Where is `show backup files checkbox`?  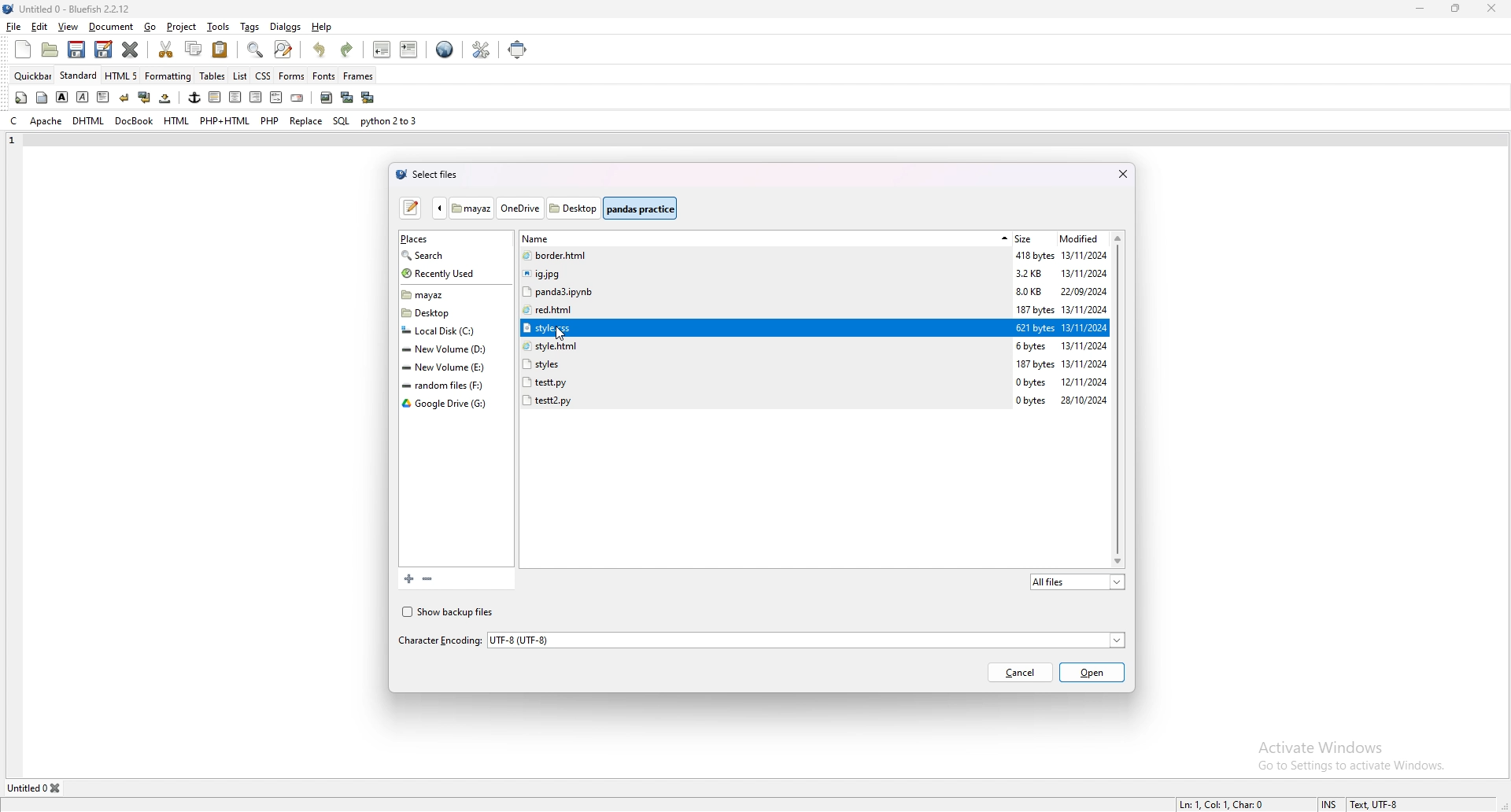
show backup files checkbox is located at coordinates (452, 611).